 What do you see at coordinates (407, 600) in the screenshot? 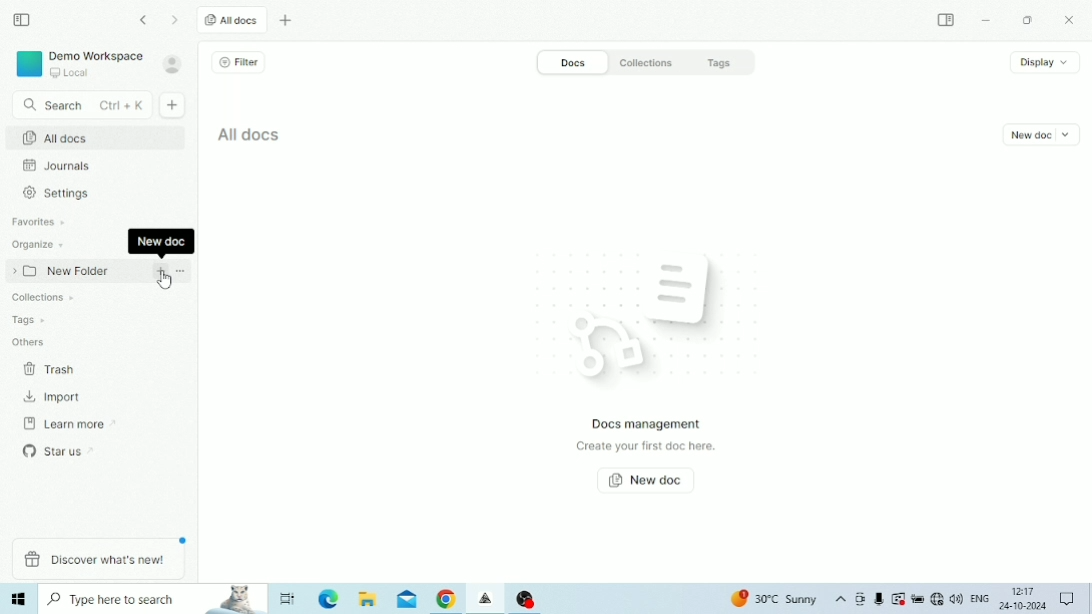
I see `Mail` at bounding box center [407, 600].